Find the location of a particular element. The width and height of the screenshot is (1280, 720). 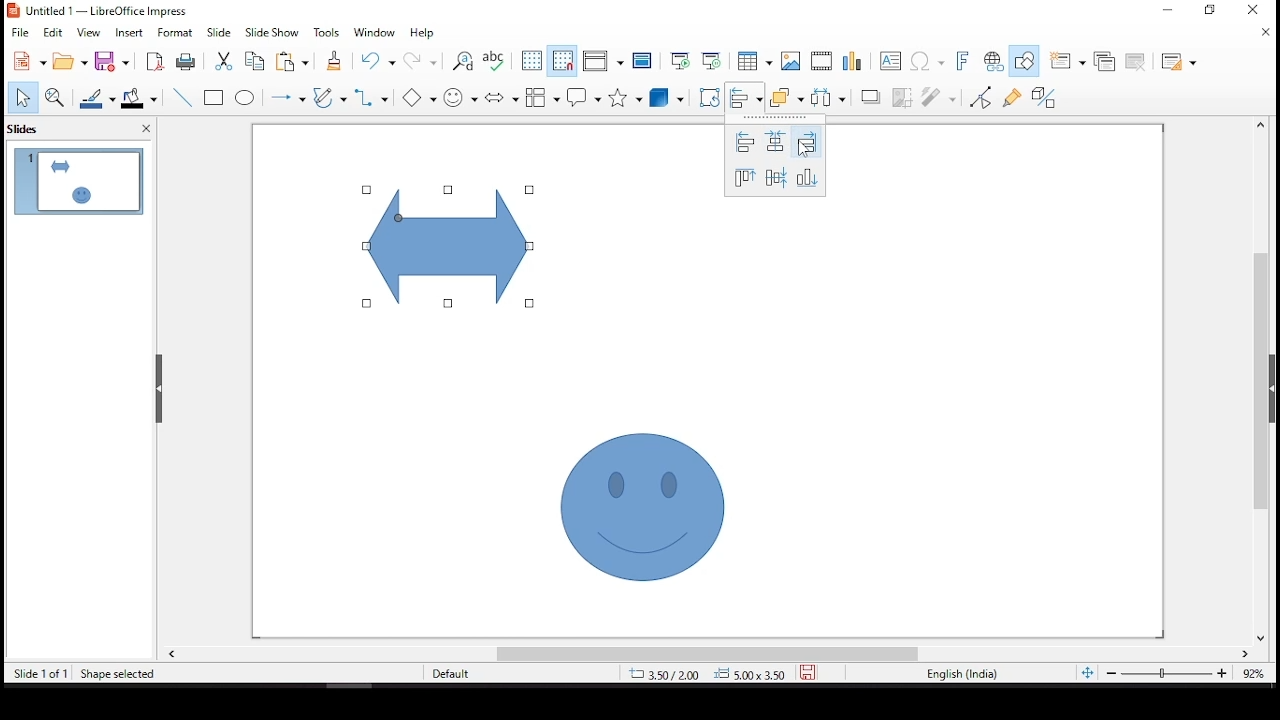

duplicate slide is located at coordinates (1103, 58).